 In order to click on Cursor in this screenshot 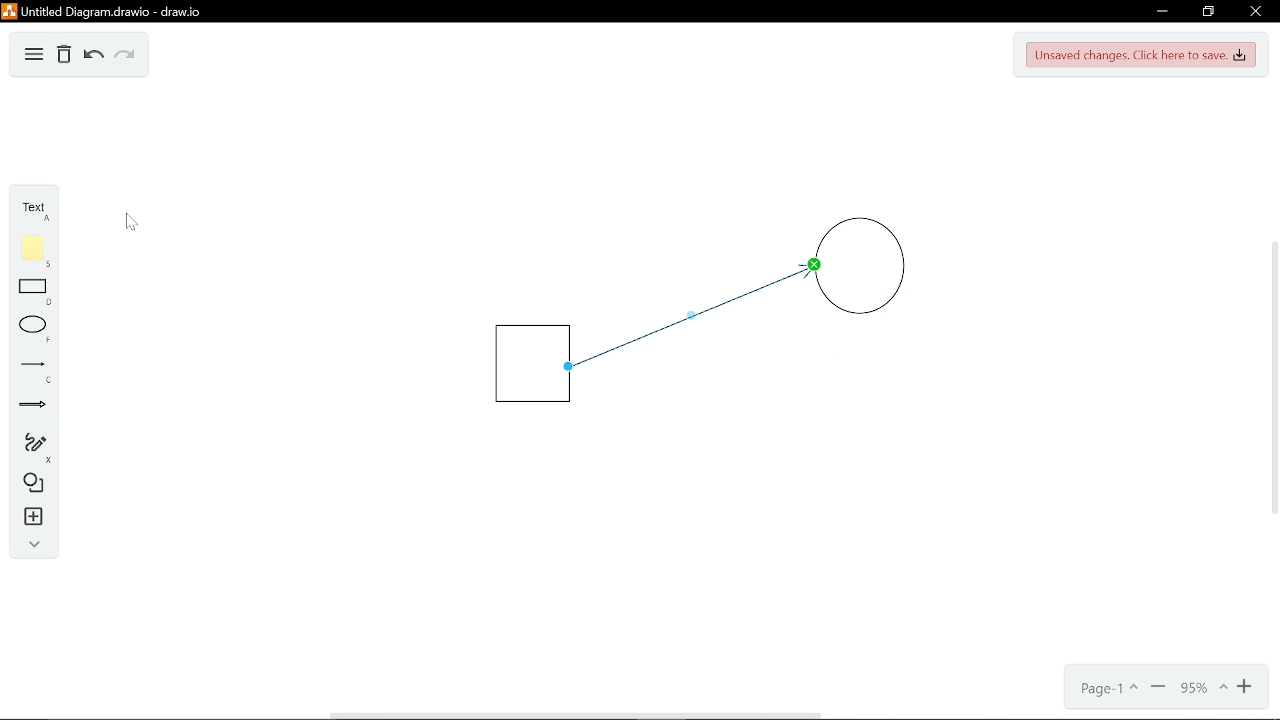, I will do `click(134, 225)`.